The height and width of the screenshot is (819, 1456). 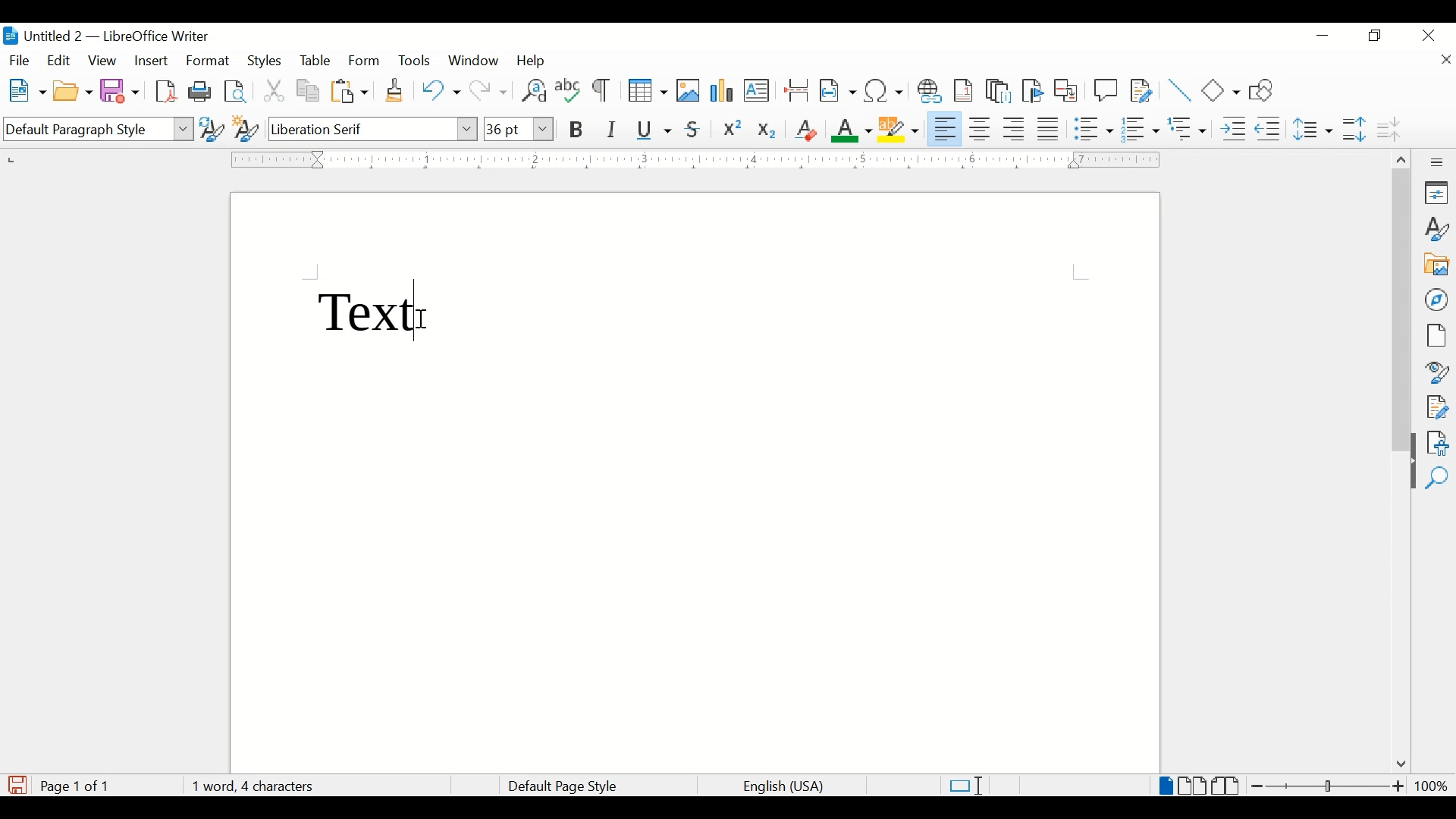 What do you see at coordinates (1438, 300) in the screenshot?
I see `navigator` at bounding box center [1438, 300].